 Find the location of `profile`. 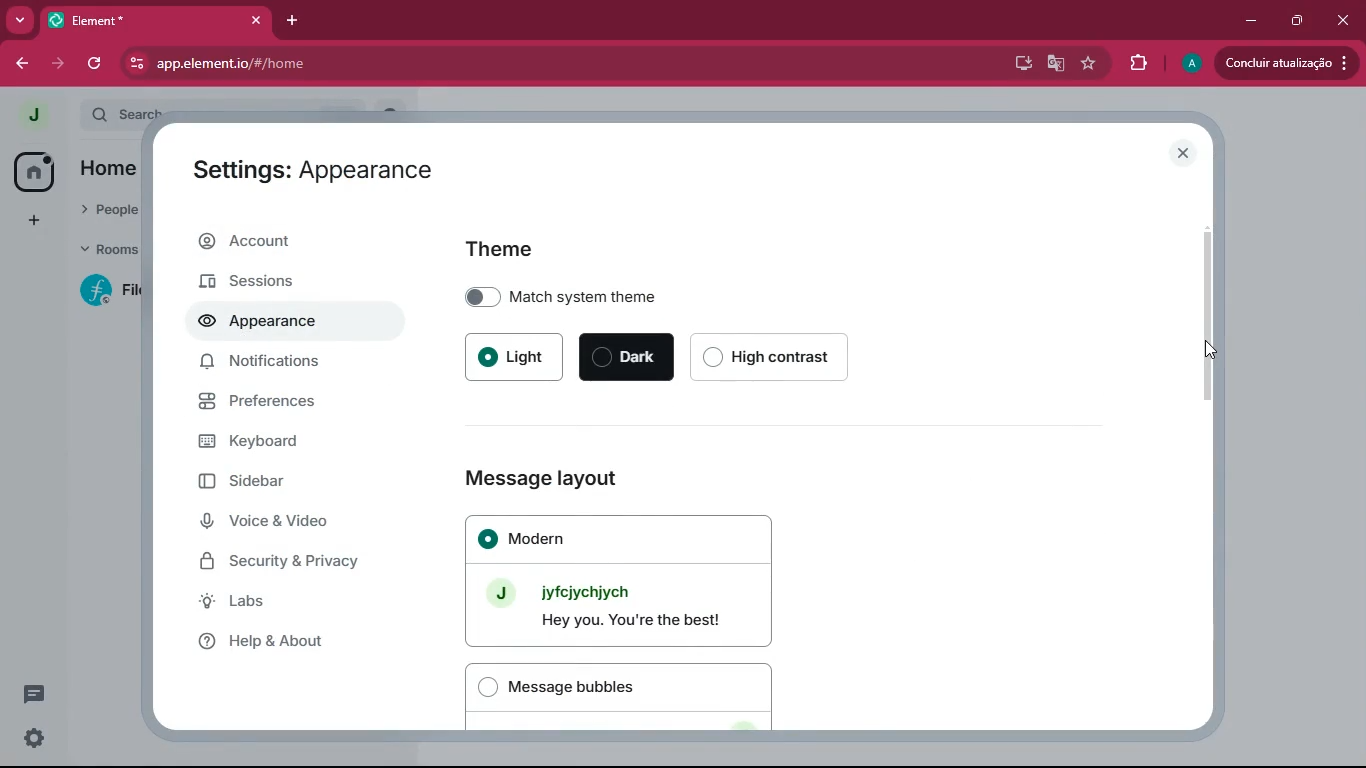

profile is located at coordinates (1188, 64).